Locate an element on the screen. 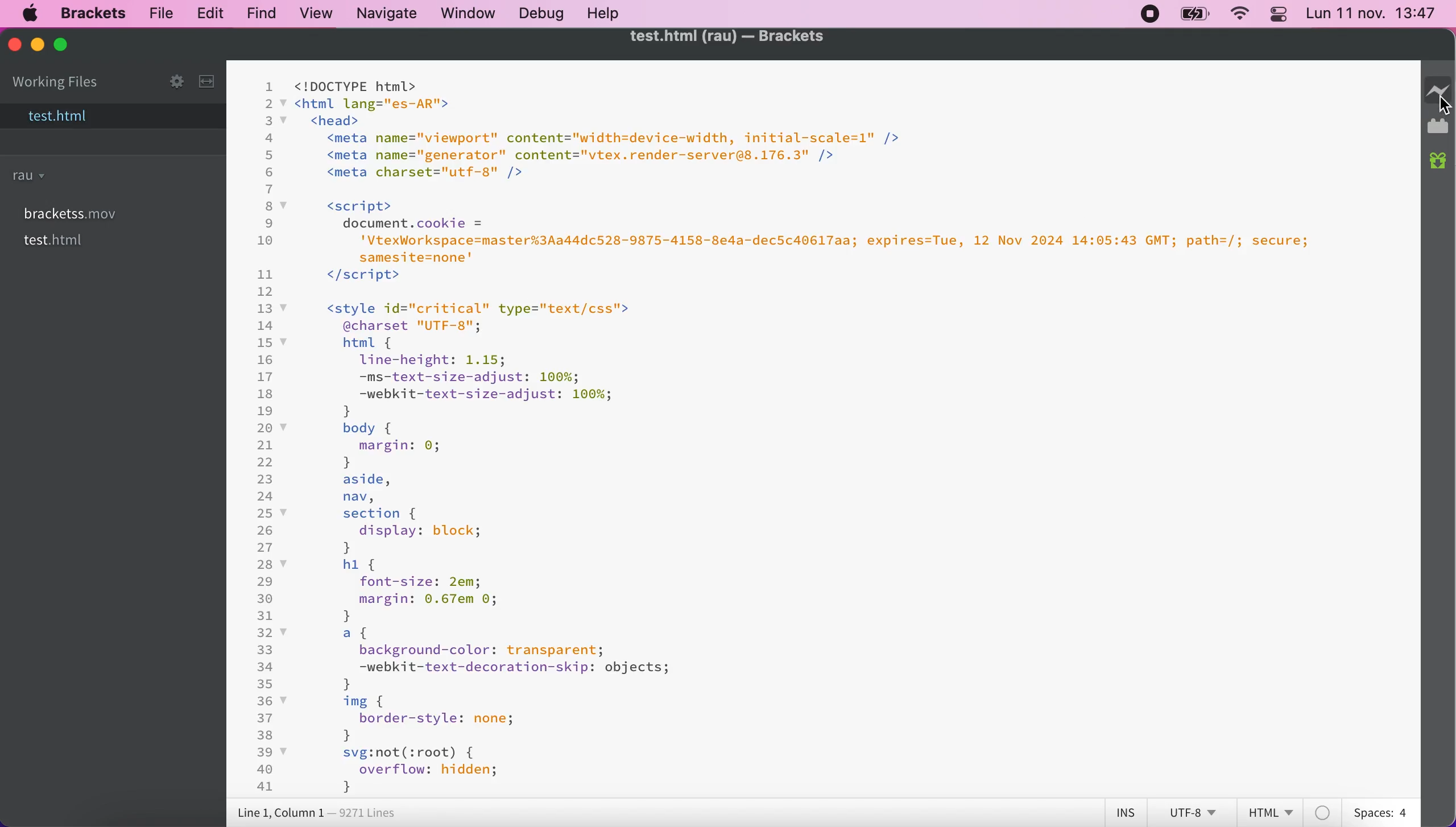 This screenshot has width=1456, height=827. time and date is located at coordinates (1372, 15).